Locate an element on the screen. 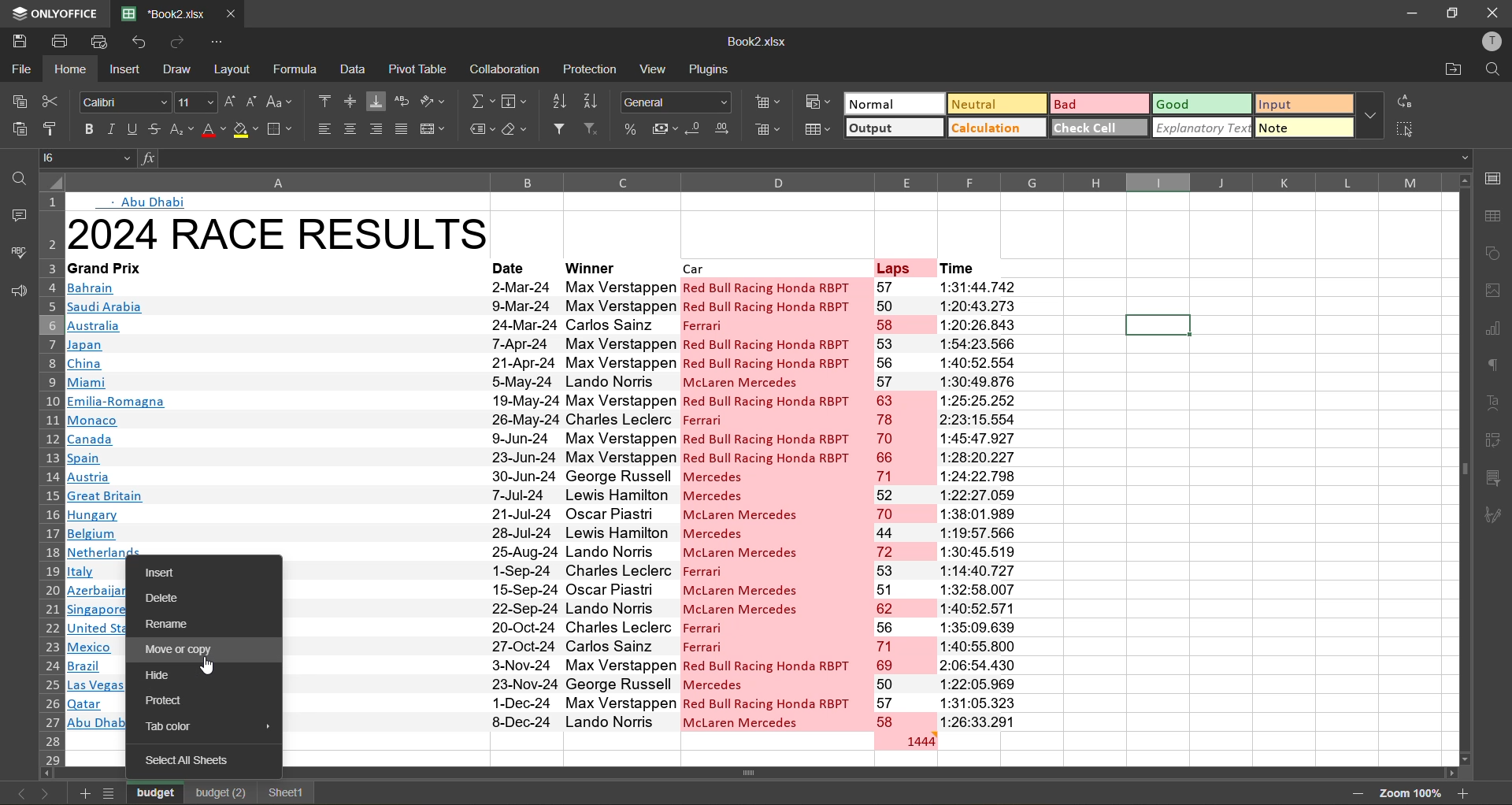 This screenshot has width=1512, height=805. copy style is located at coordinates (53, 128).